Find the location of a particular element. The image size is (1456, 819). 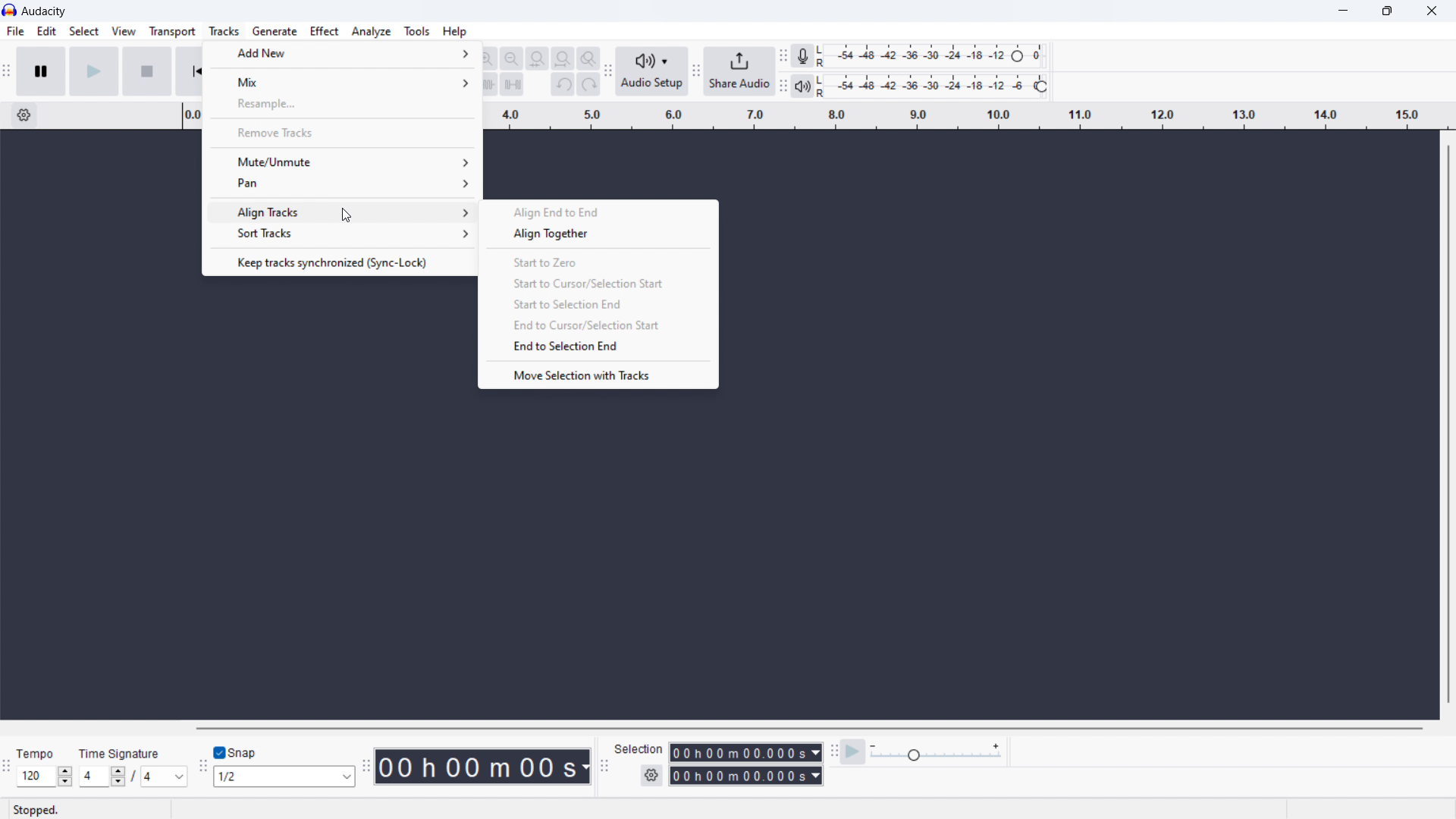

analyze is located at coordinates (372, 32).